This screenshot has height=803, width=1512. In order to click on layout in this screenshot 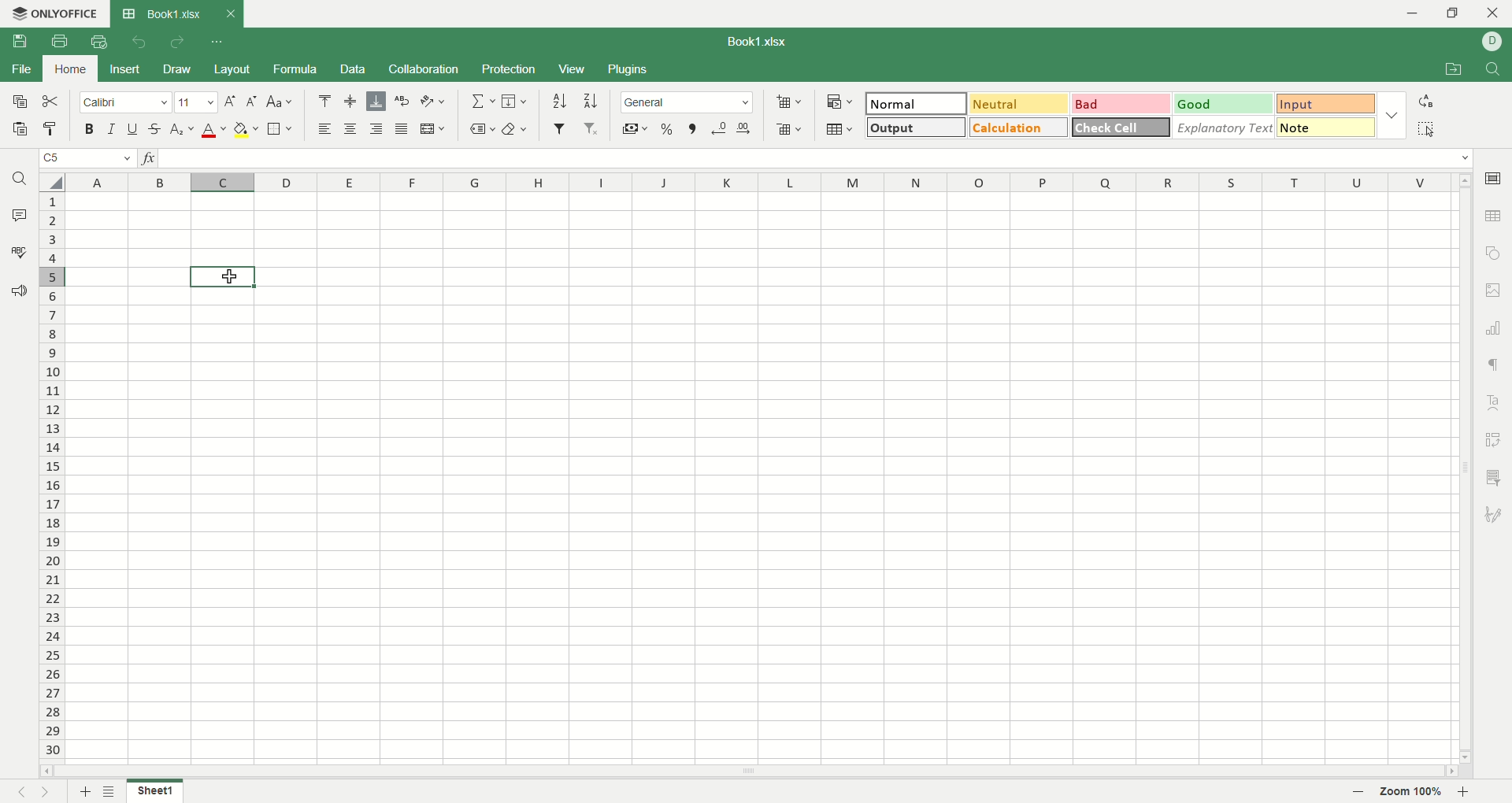, I will do `click(233, 68)`.